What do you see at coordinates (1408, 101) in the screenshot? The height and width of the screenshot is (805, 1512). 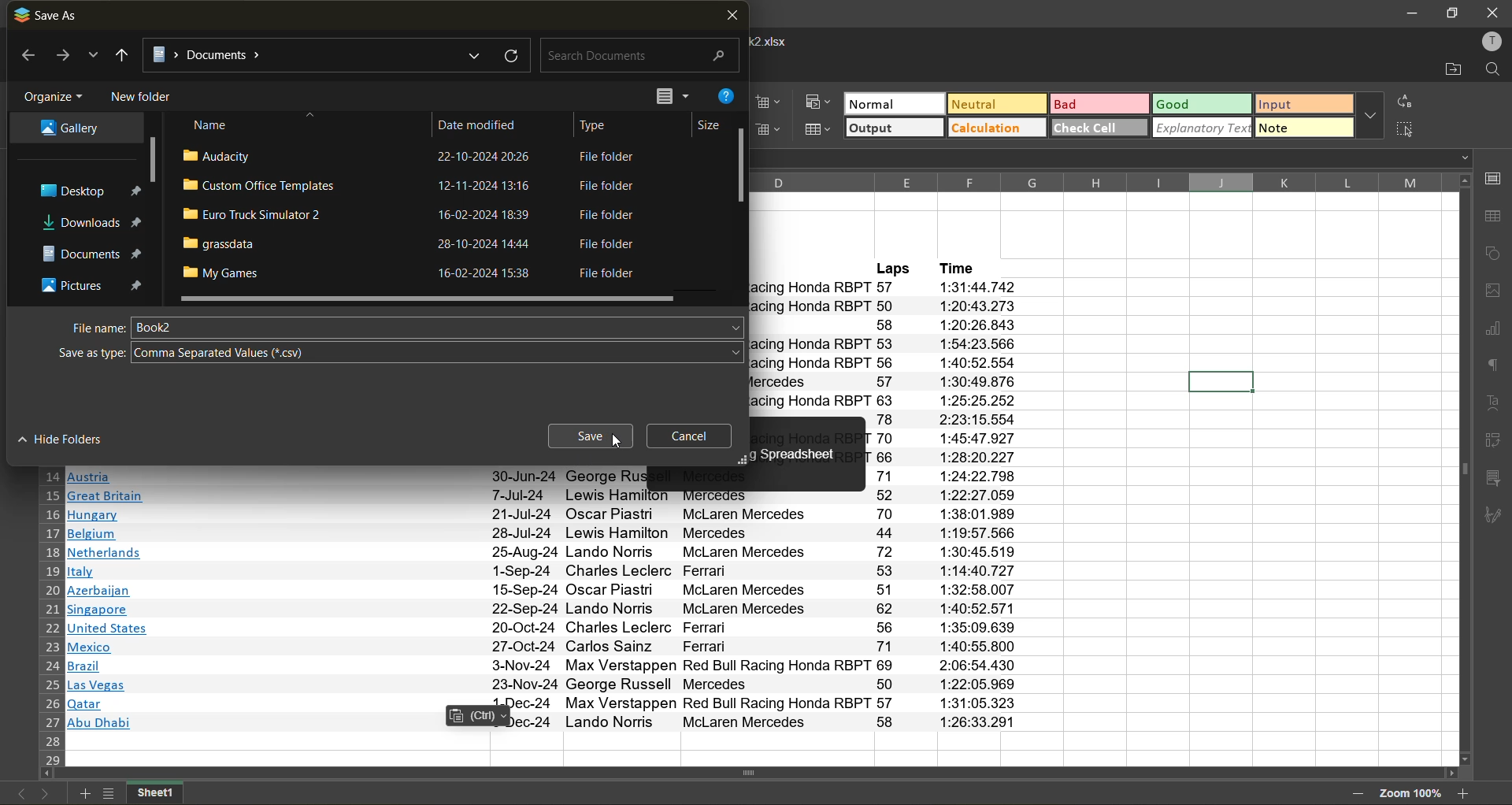 I see `replace` at bounding box center [1408, 101].